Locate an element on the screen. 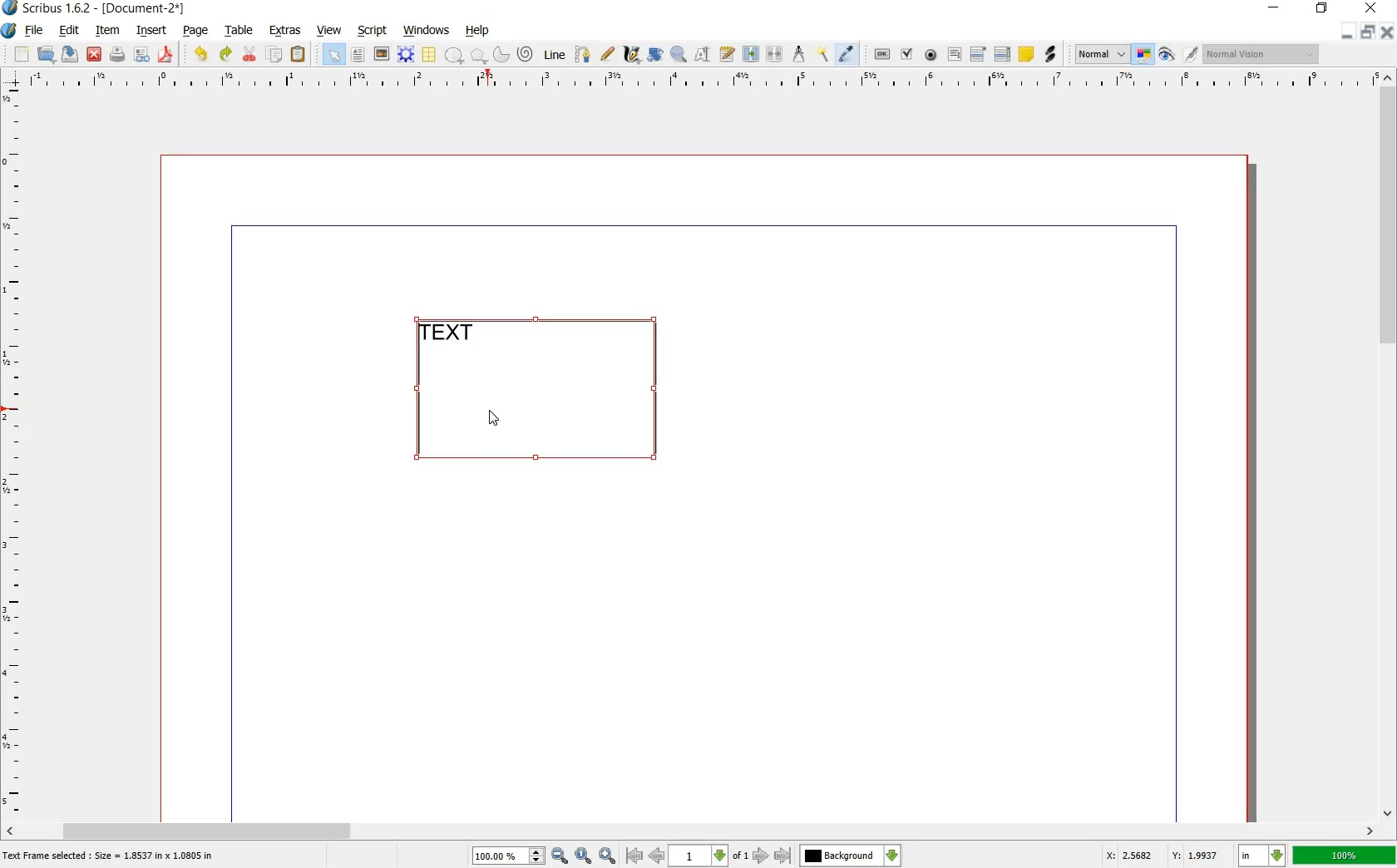 This screenshot has height=868, width=1397. in is located at coordinates (1263, 856).